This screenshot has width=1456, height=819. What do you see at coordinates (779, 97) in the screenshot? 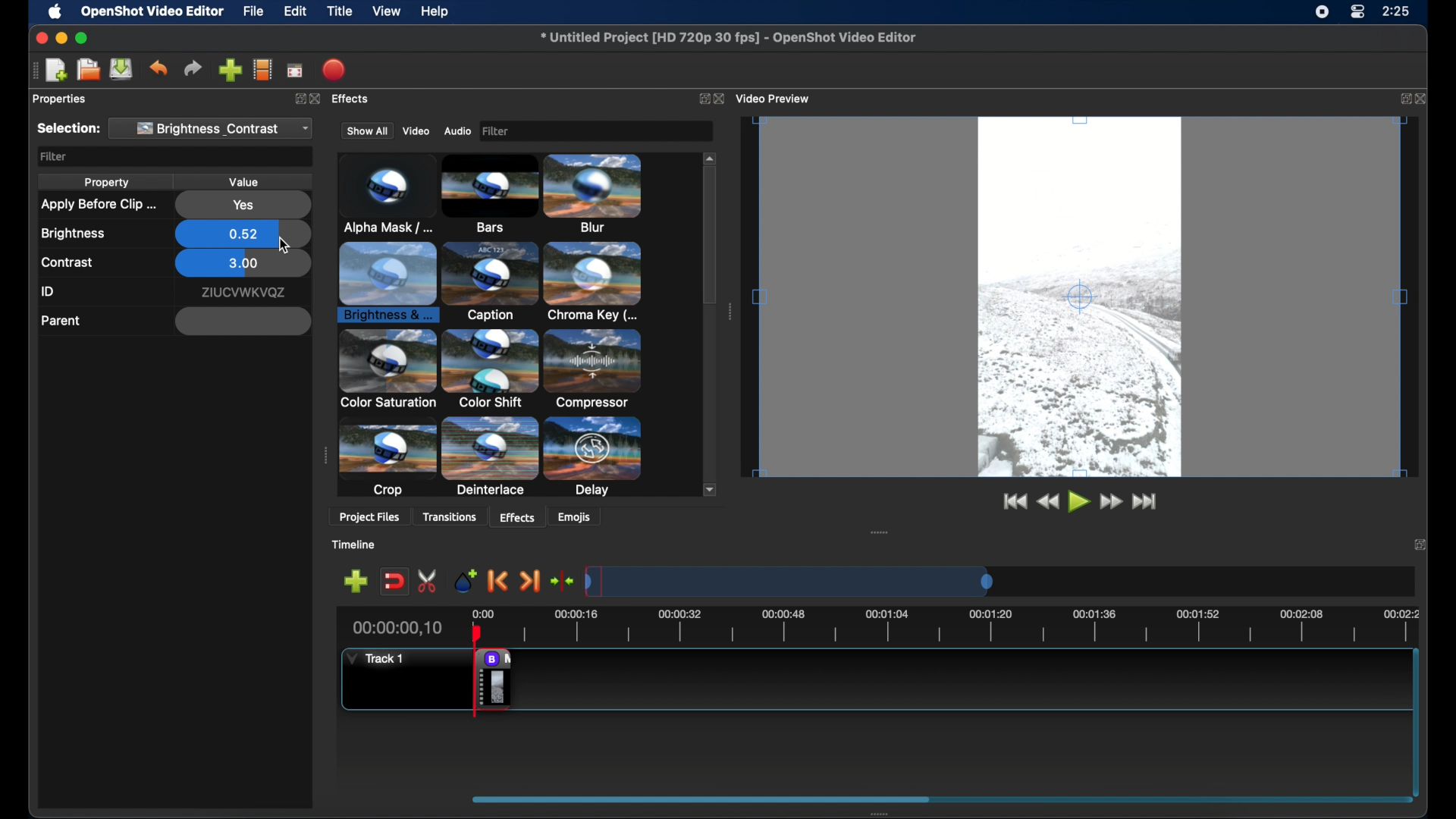
I see `video preview` at bounding box center [779, 97].